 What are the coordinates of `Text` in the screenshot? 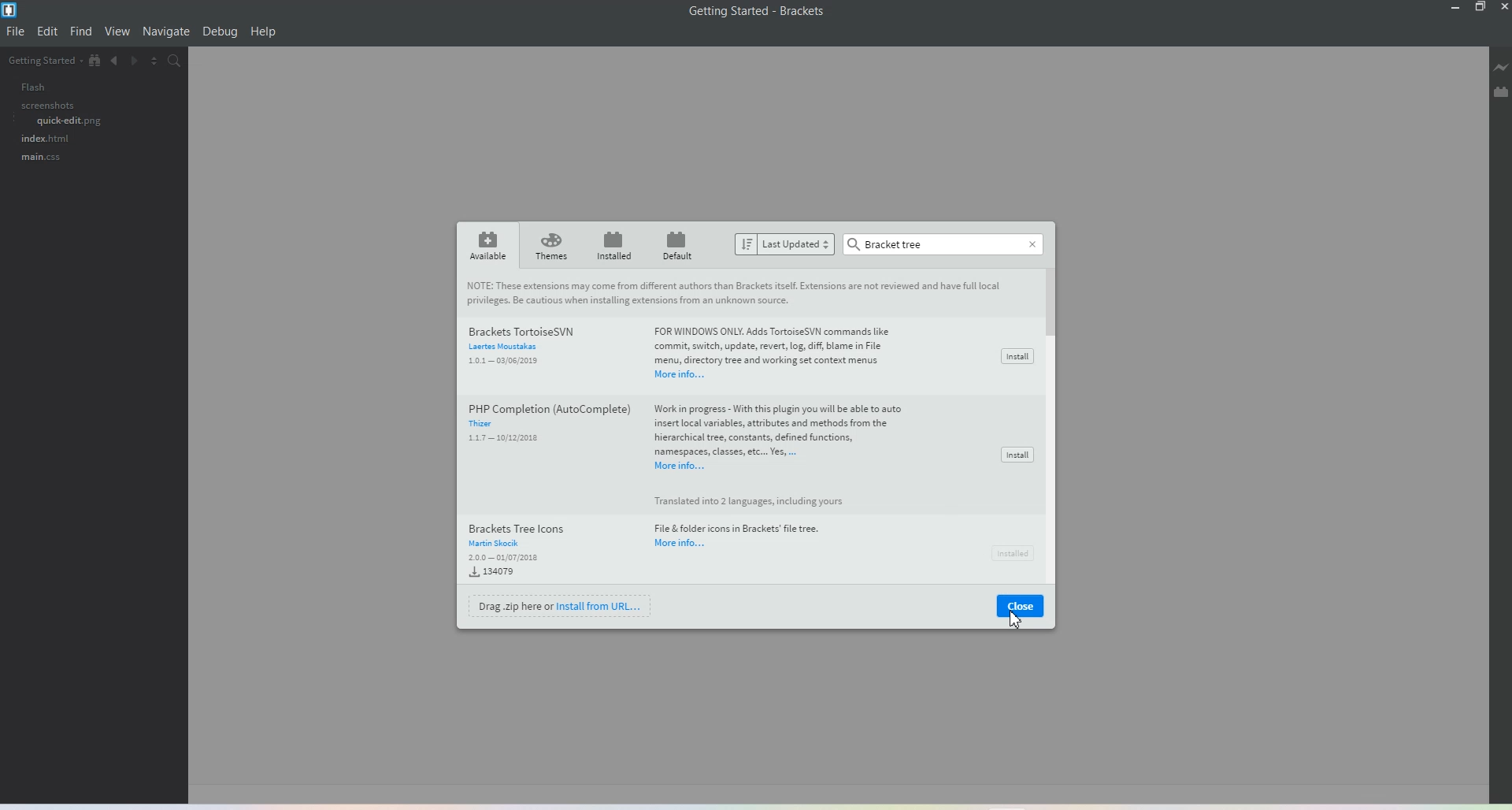 It's located at (772, 427).